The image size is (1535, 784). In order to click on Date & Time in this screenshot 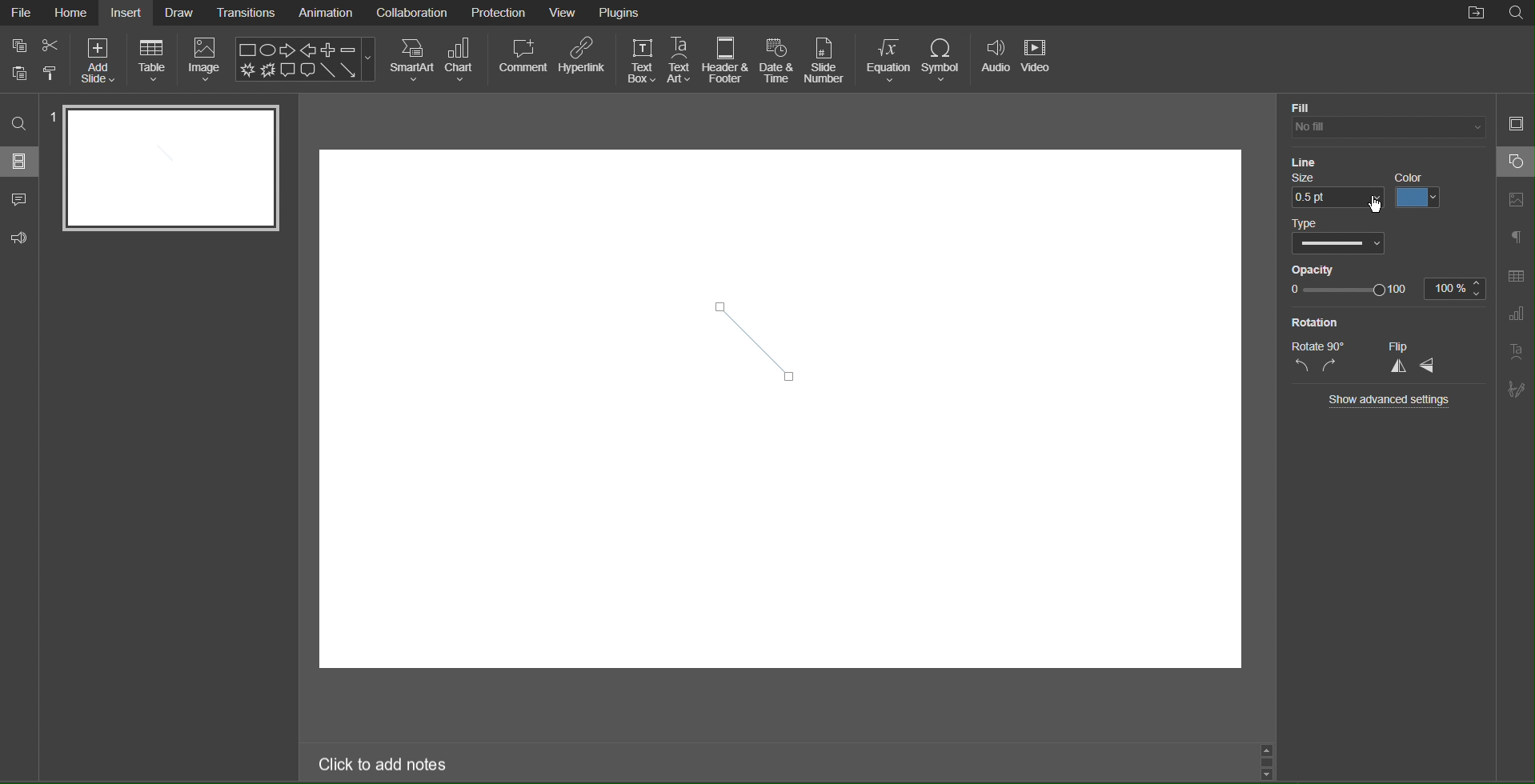, I will do `click(777, 61)`.